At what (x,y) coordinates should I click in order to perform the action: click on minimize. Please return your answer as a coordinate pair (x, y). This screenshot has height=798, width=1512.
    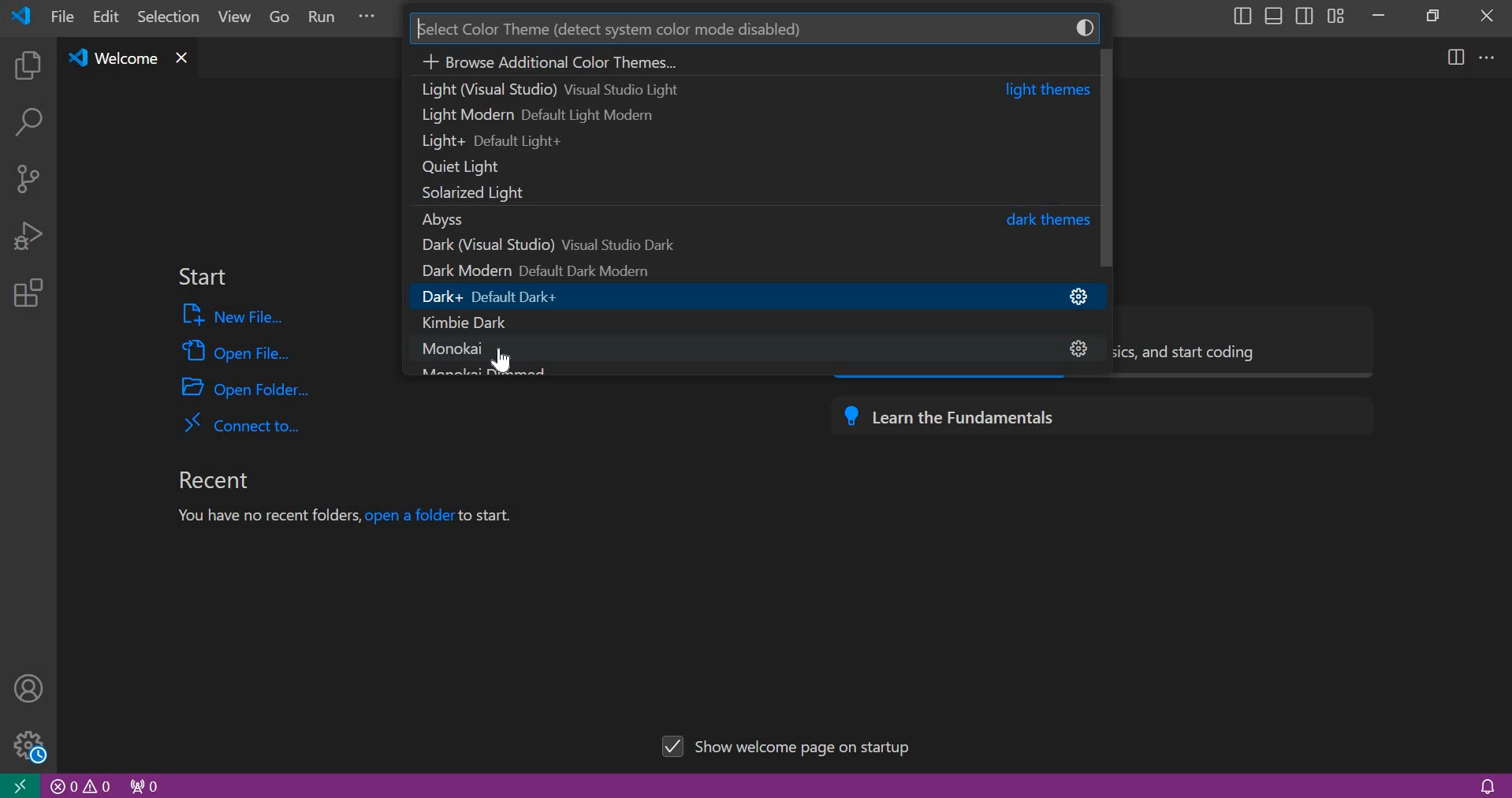
    Looking at the image, I should click on (1378, 15).